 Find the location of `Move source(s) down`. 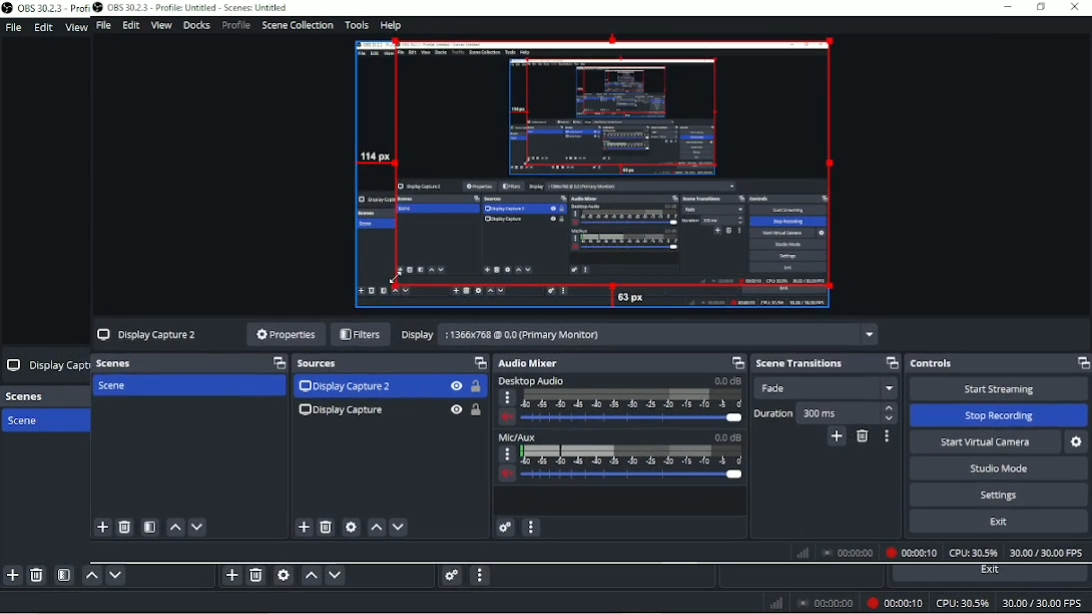

Move source(s) down is located at coordinates (336, 576).